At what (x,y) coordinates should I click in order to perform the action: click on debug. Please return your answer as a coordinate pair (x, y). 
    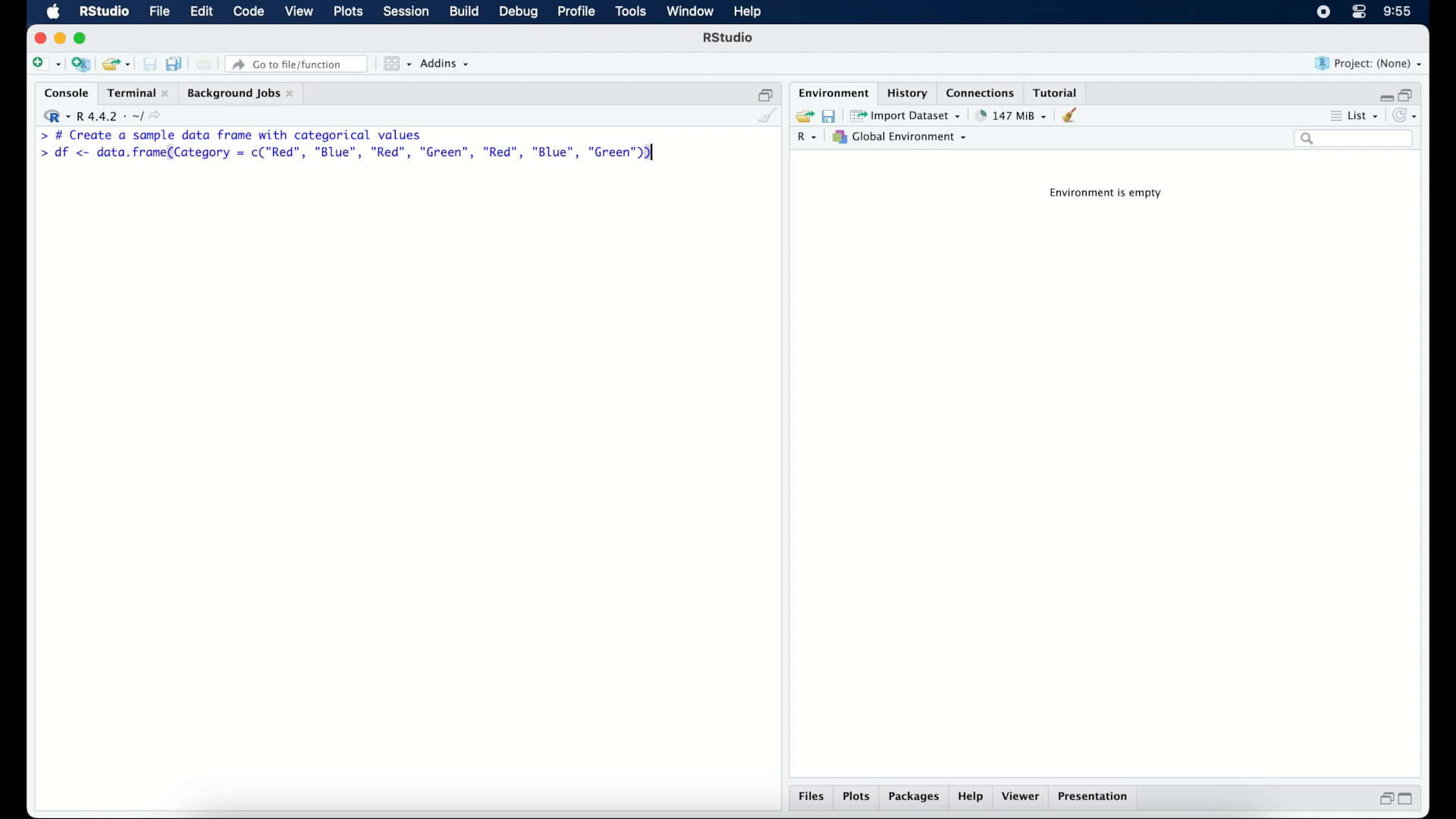
    Looking at the image, I should click on (517, 13).